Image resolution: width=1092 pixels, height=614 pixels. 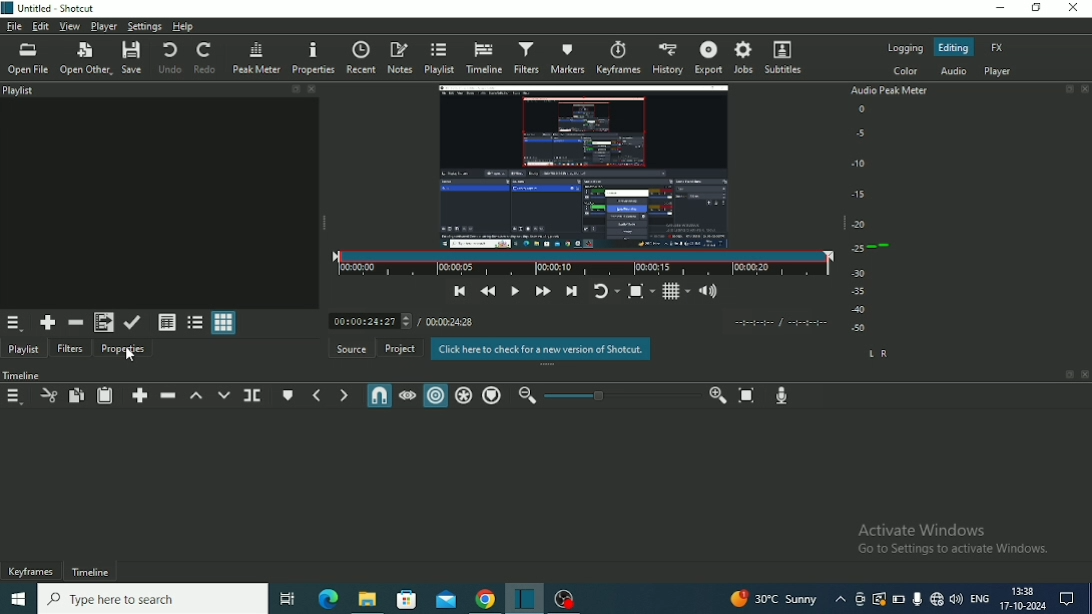 What do you see at coordinates (773, 599) in the screenshot?
I see `Temperature` at bounding box center [773, 599].